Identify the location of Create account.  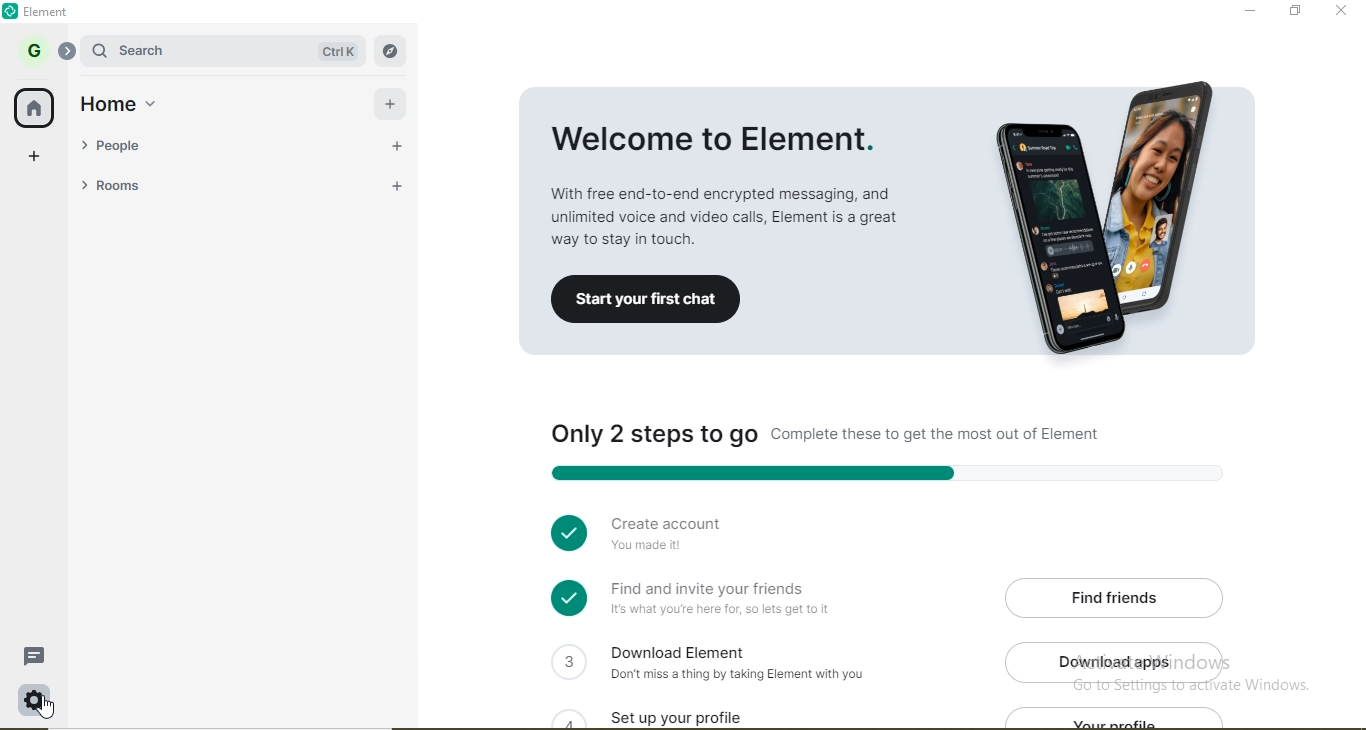
(715, 538).